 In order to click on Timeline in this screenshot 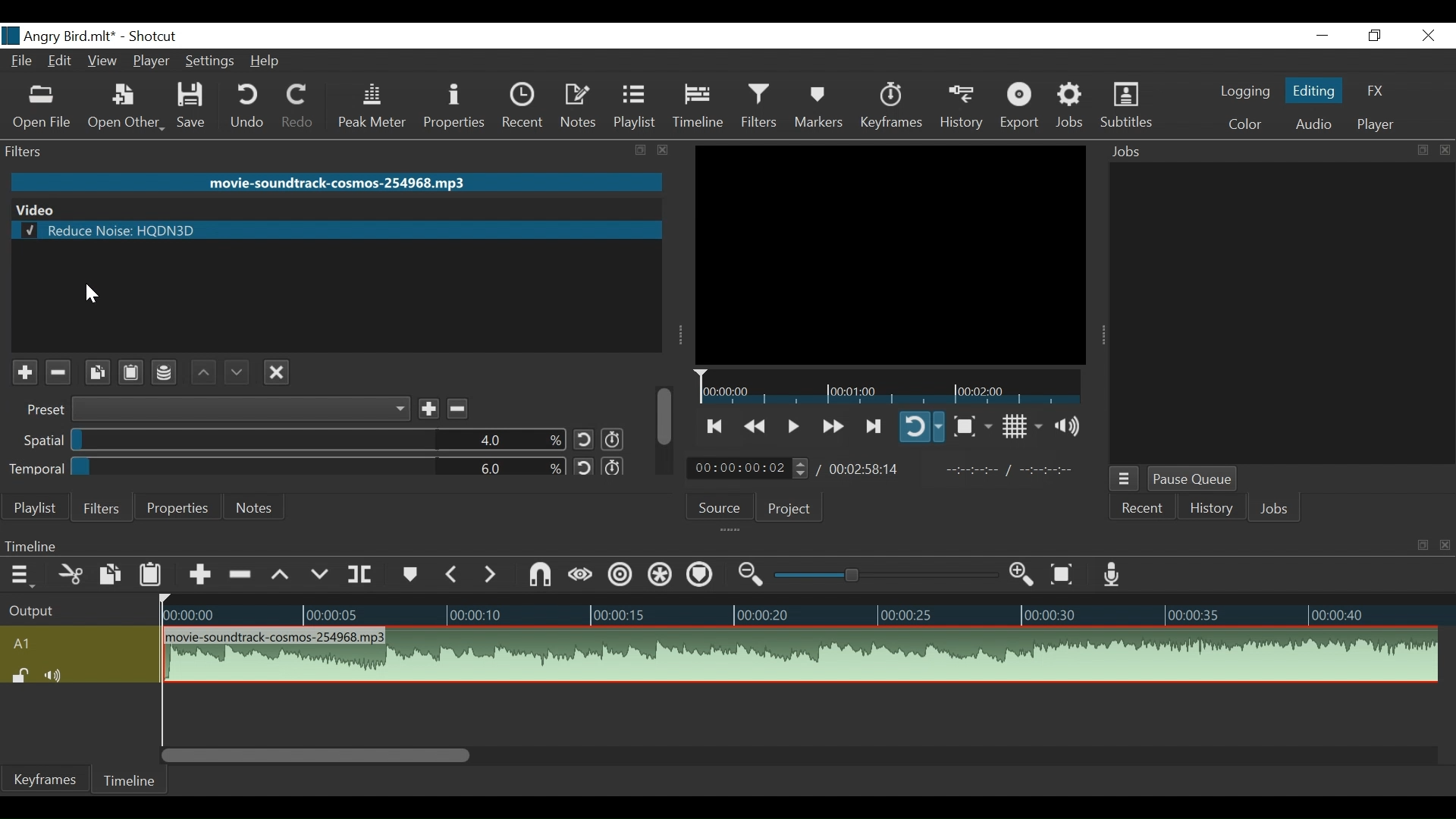, I will do `click(698, 106)`.